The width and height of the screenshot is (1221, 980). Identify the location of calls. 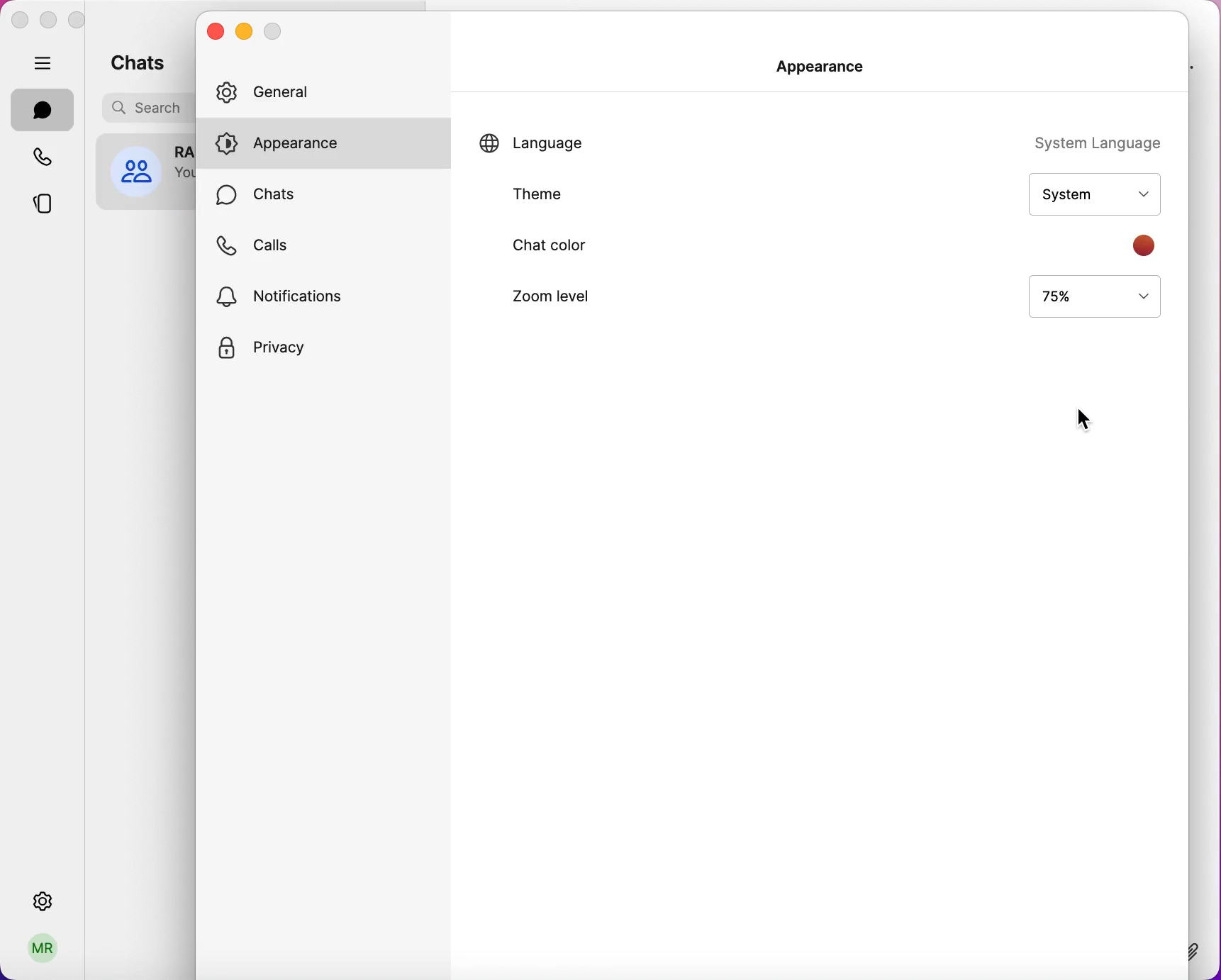
(45, 158).